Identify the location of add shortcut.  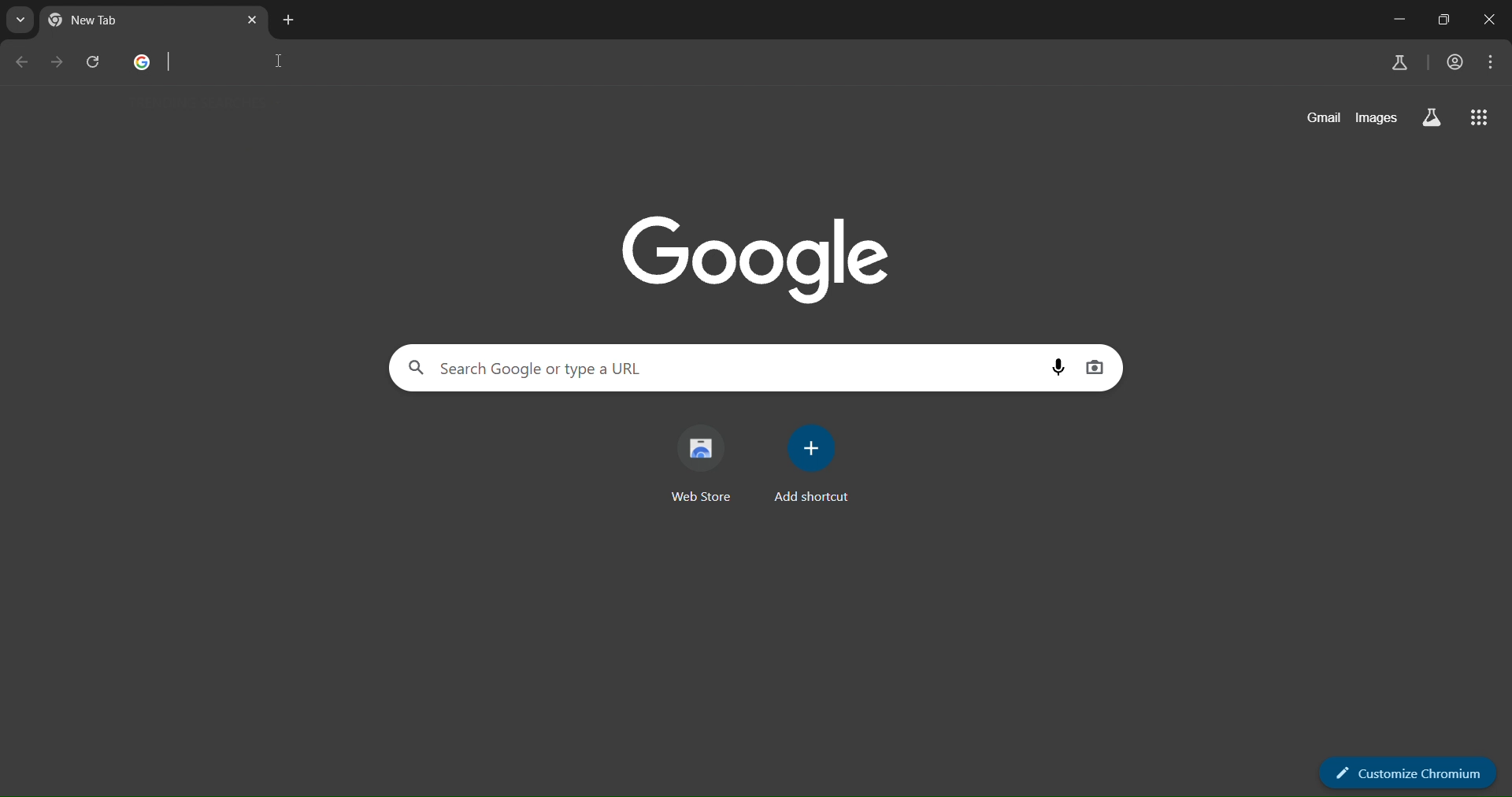
(812, 465).